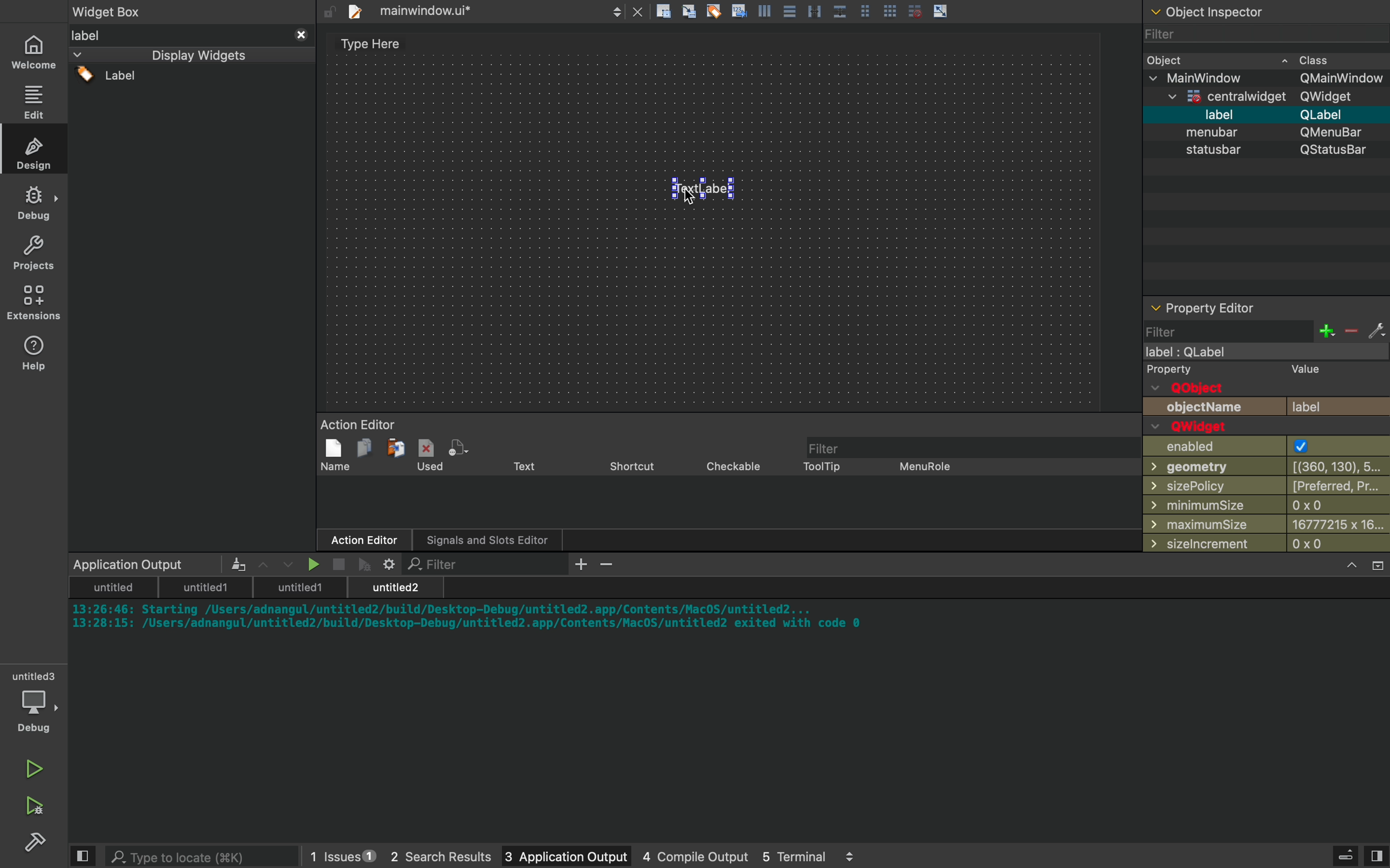 This screenshot has width=1390, height=868. I want to click on , so click(1223, 11).